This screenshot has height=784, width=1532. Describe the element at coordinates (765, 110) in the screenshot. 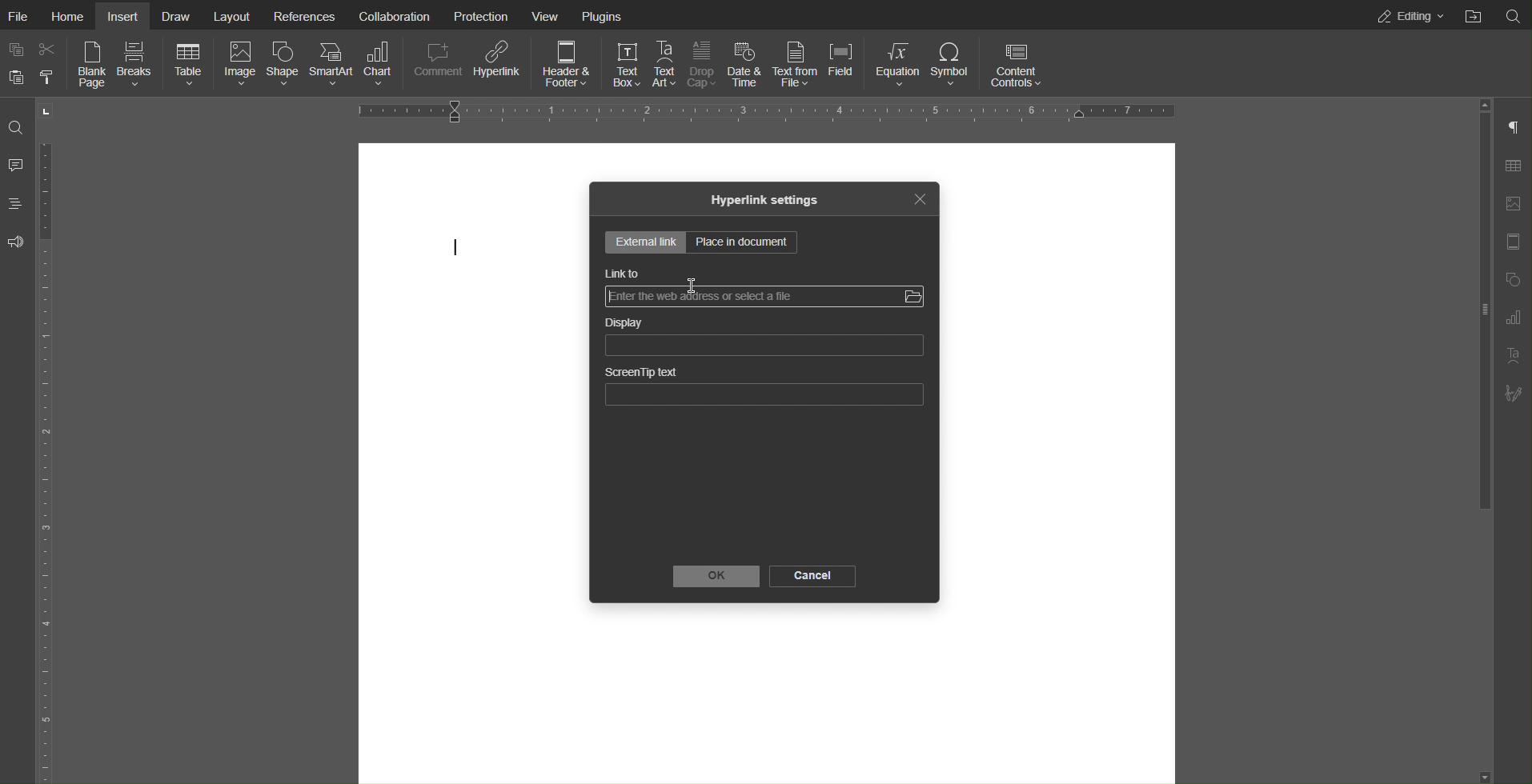

I see `Horizontal Ruler` at that location.